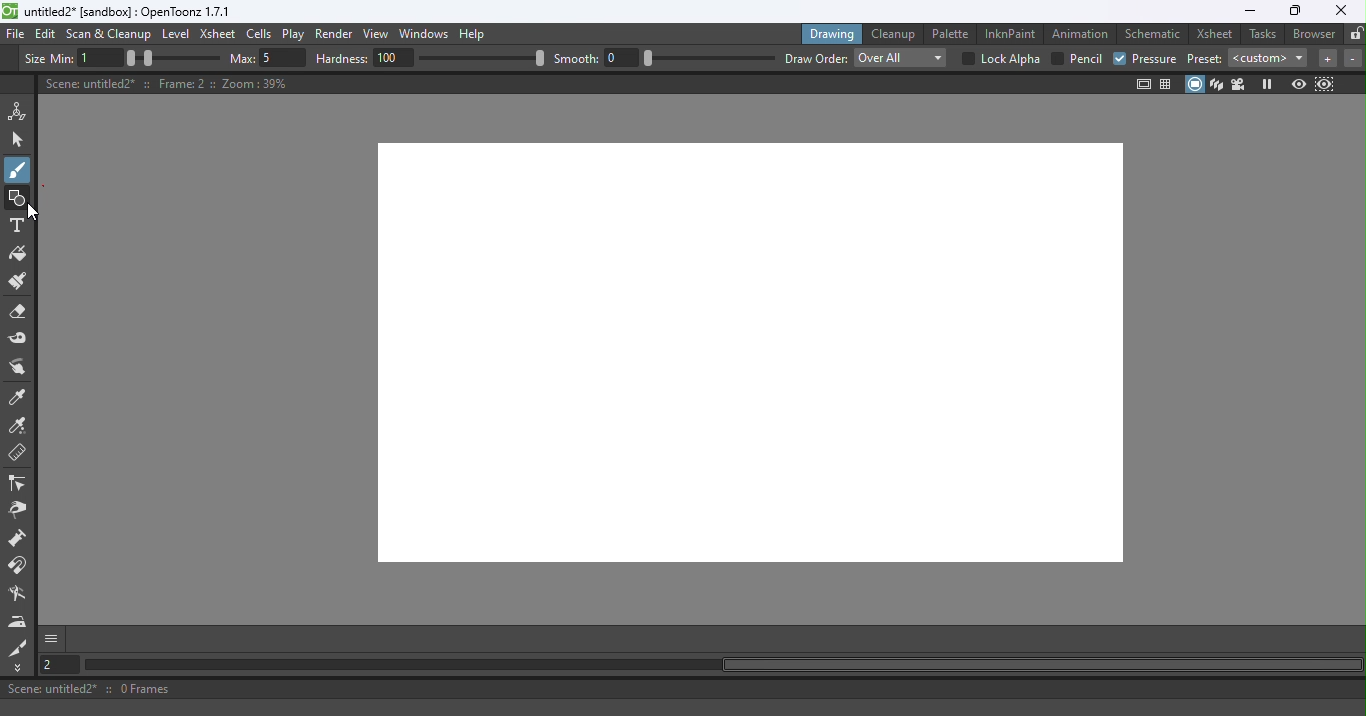  What do you see at coordinates (101, 59) in the screenshot?
I see `1` at bounding box center [101, 59].